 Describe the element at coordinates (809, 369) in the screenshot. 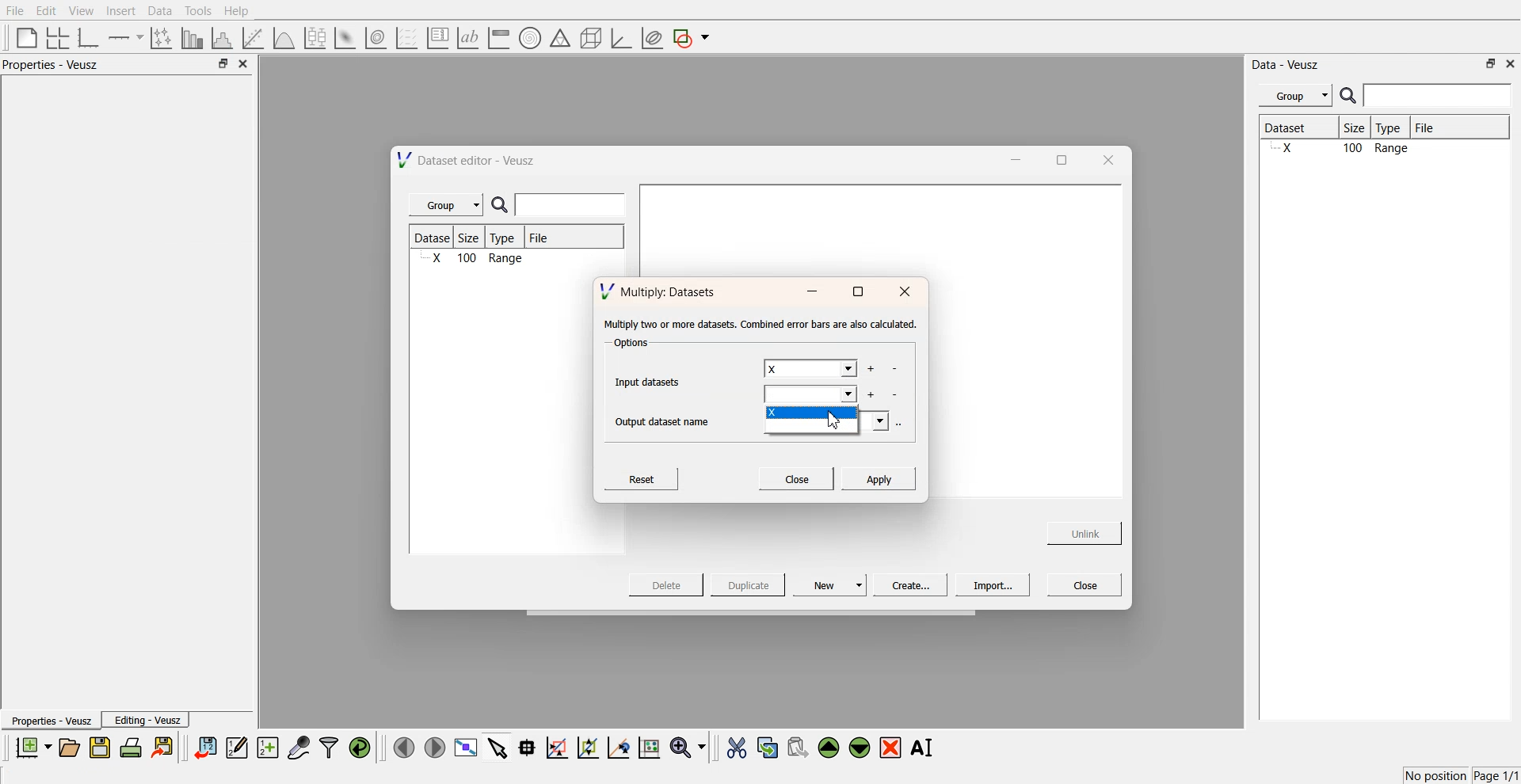

I see `X` at that location.